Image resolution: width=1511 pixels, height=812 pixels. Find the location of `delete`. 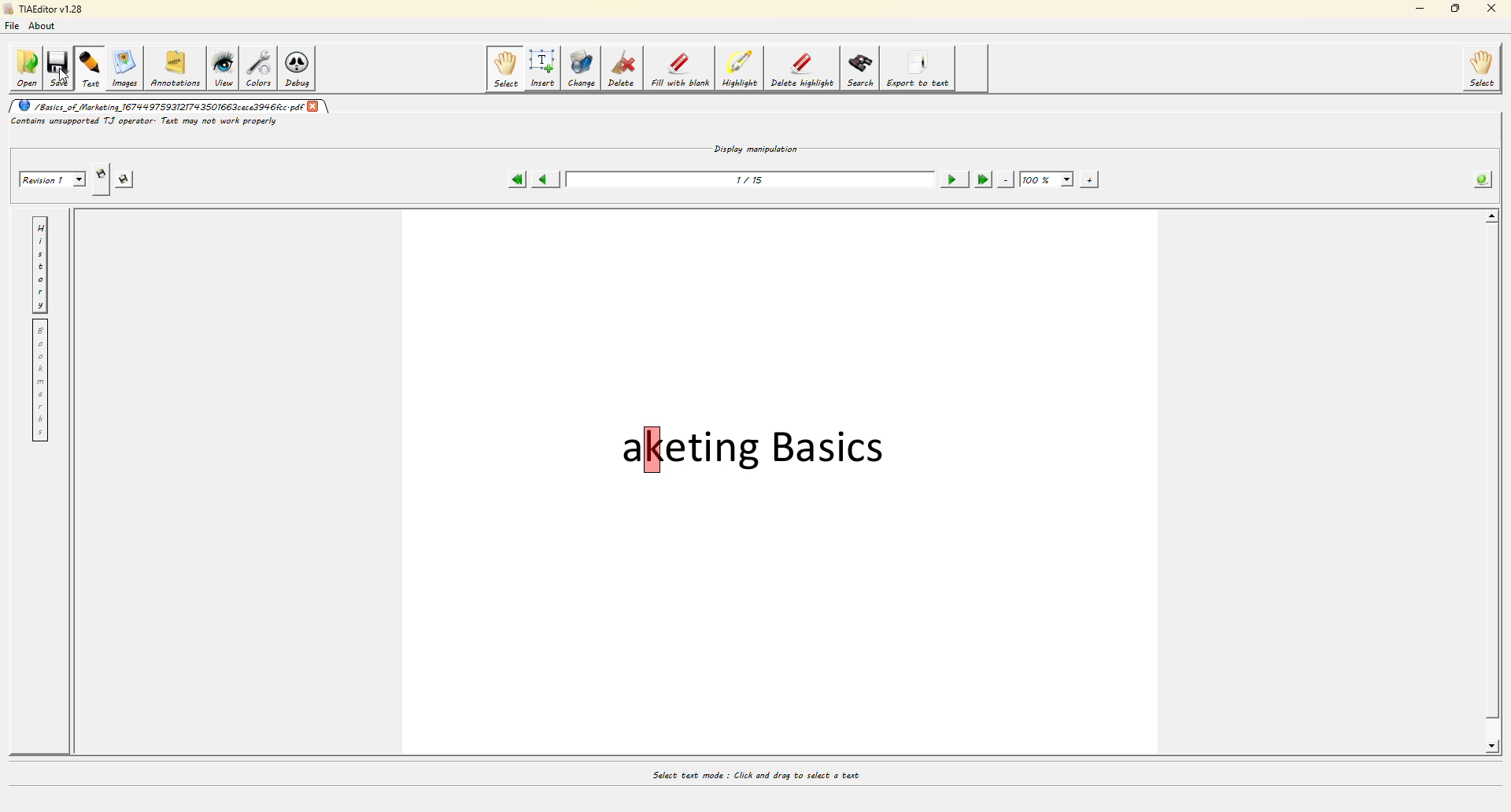

delete is located at coordinates (622, 68).